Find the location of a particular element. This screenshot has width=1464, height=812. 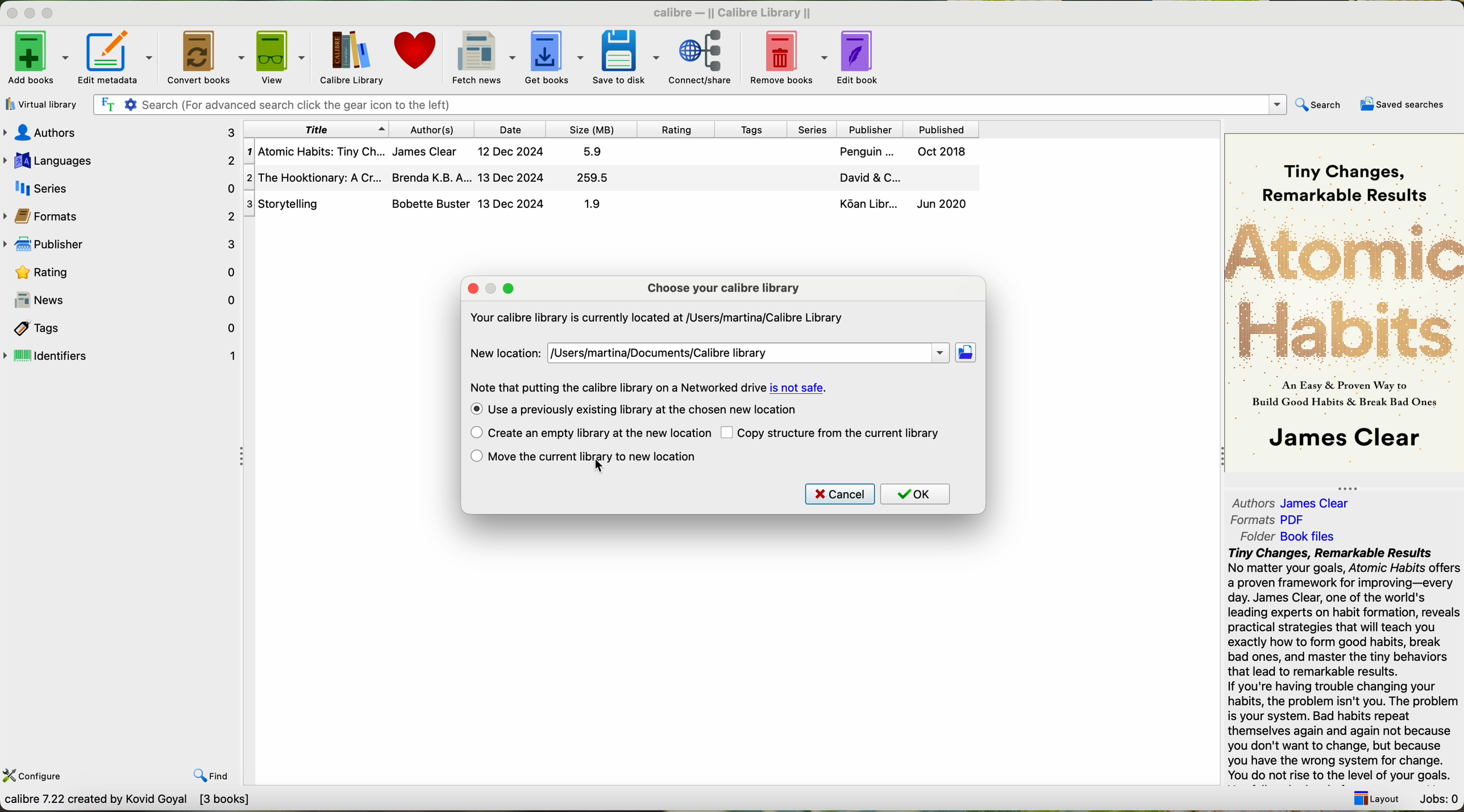

check box is located at coordinates (728, 434).